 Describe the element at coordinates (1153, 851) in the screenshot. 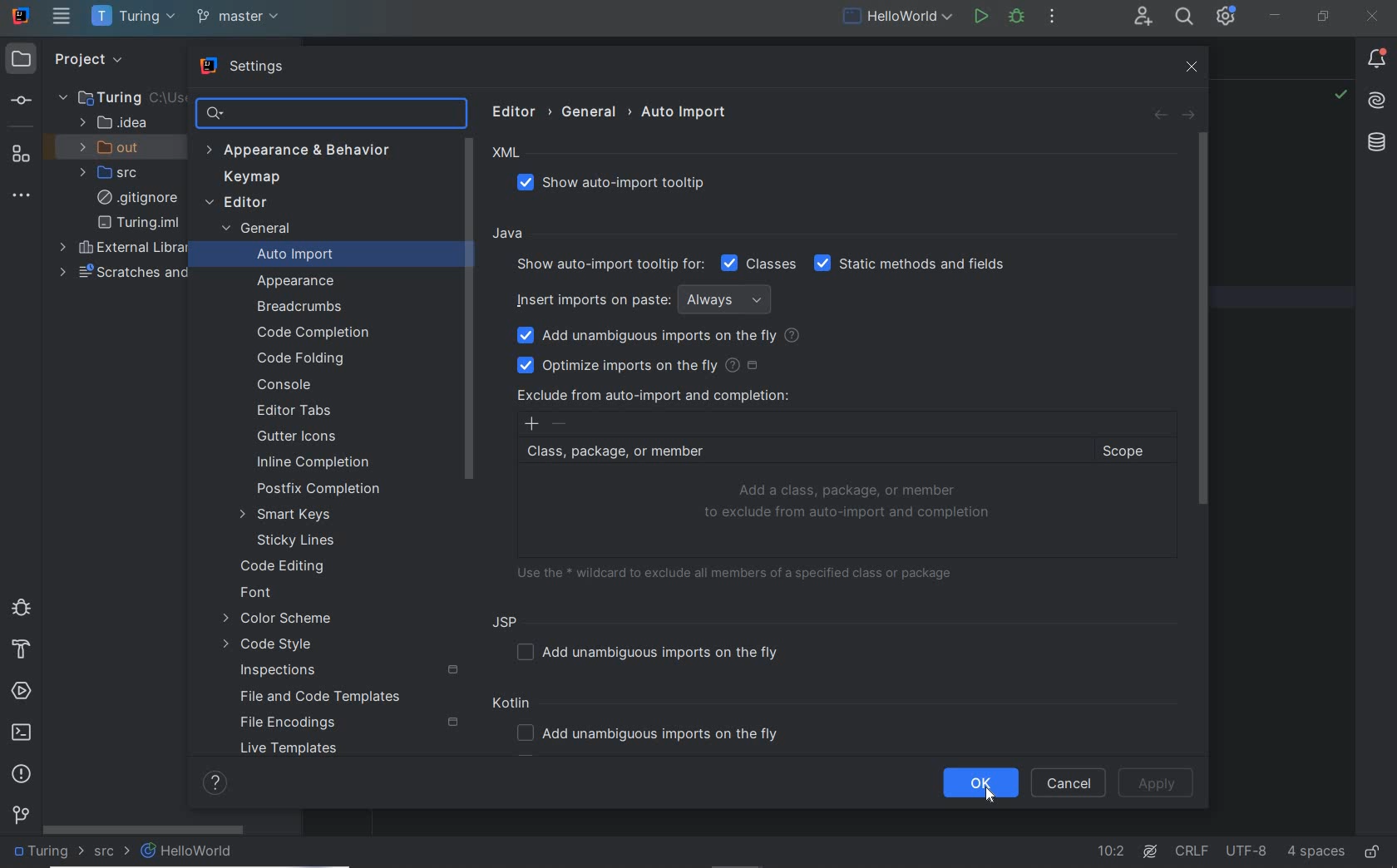

I see `AI Assistant` at that location.